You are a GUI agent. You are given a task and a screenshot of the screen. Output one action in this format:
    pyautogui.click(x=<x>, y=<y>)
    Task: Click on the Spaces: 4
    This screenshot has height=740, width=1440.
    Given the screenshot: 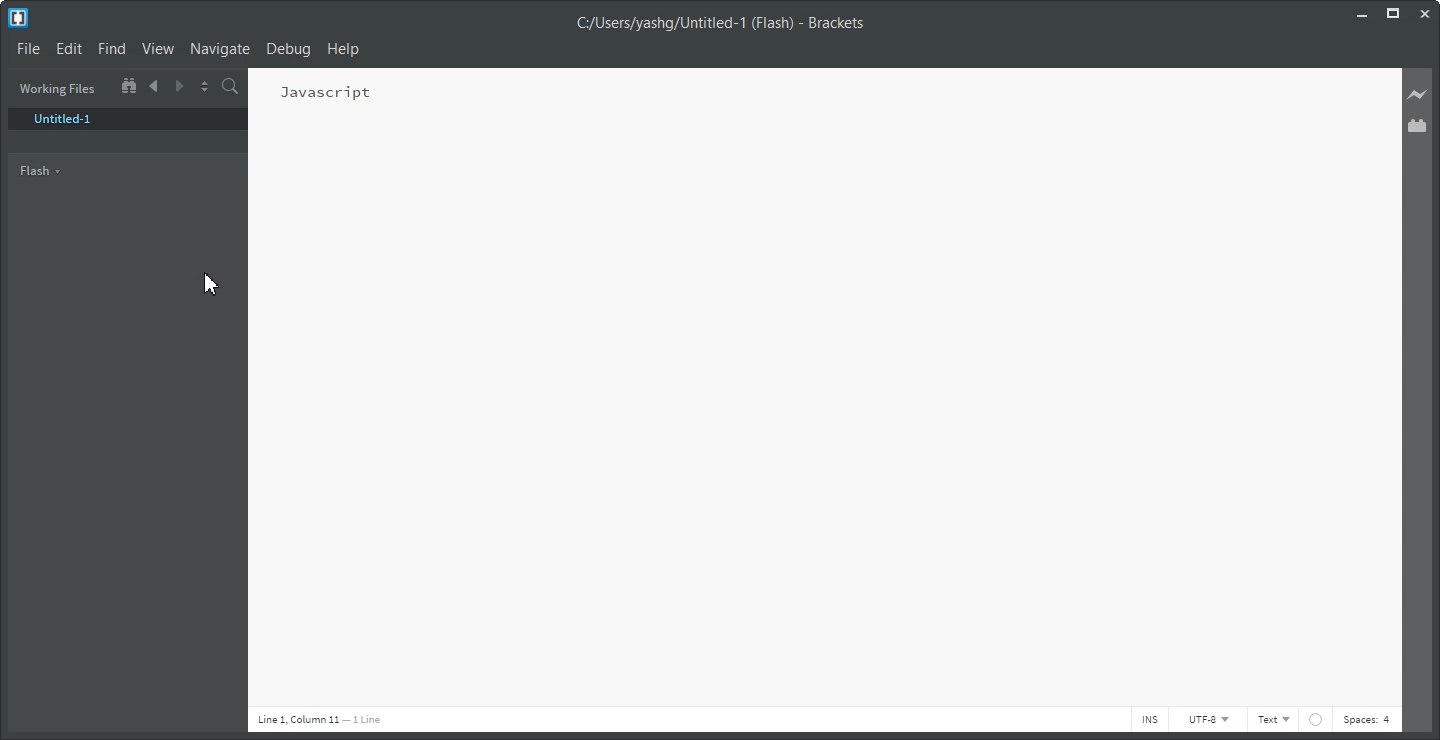 What is the action you would take?
    pyautogui.click(x=1368, y=719)
    